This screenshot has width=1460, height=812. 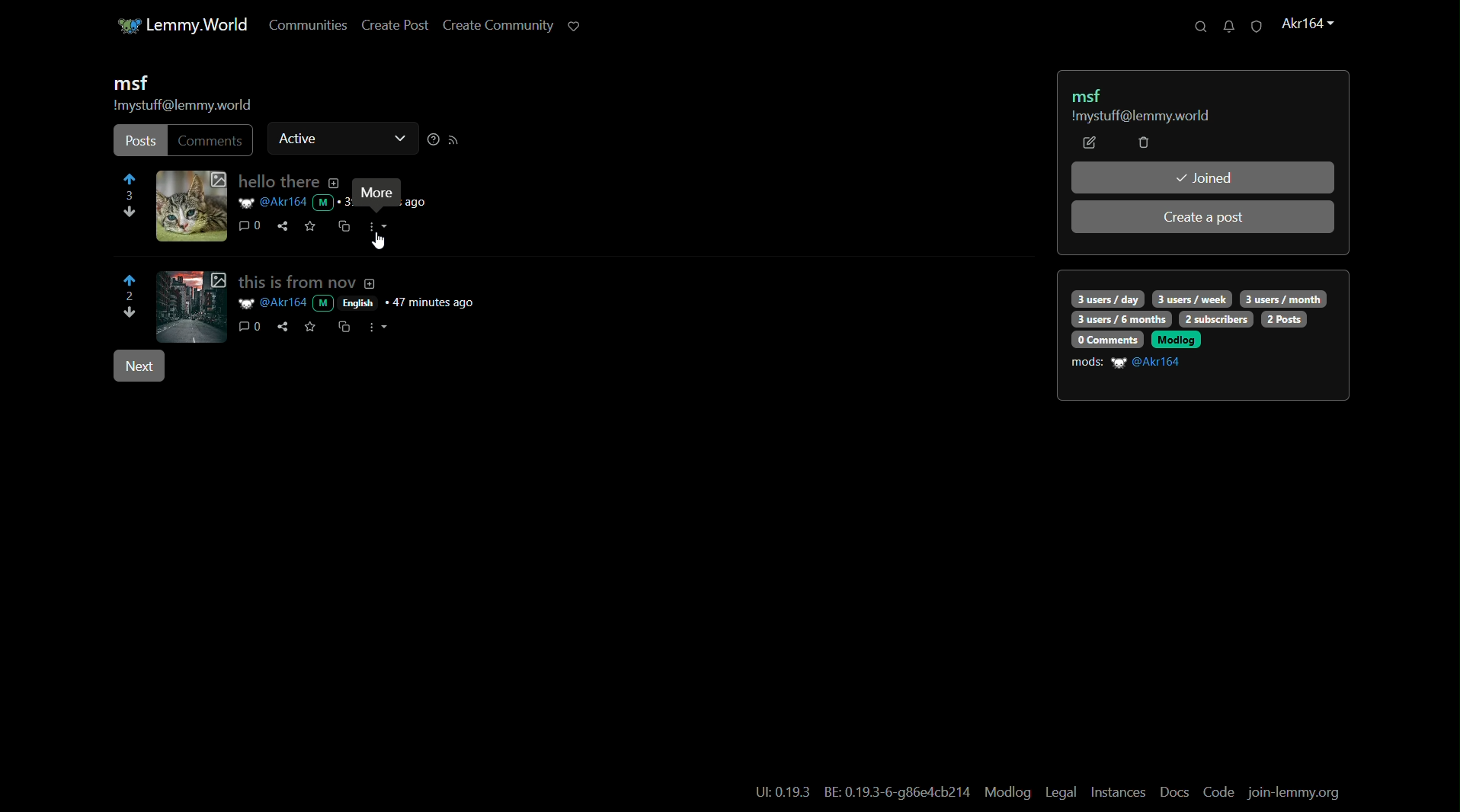 I want to click on downvote, so click(x=131, y=315).